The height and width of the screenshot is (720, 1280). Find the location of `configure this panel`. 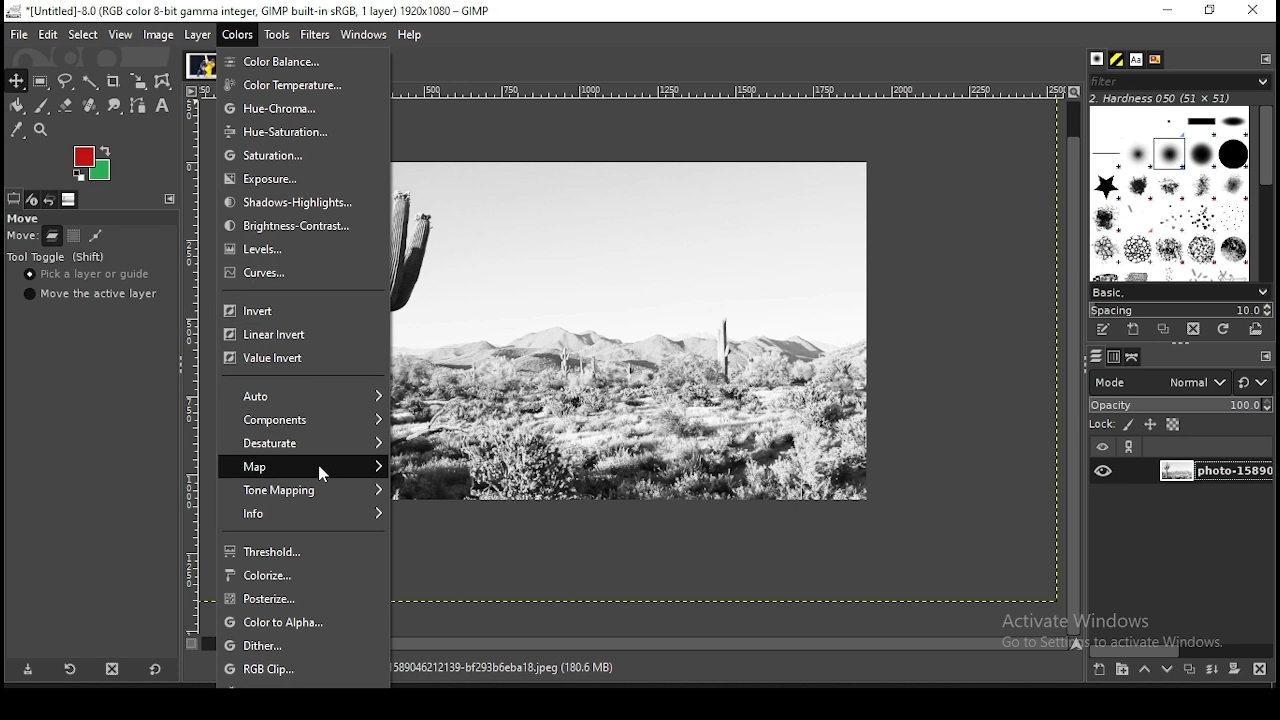

configure this panel is located at coordinates (170, 199).